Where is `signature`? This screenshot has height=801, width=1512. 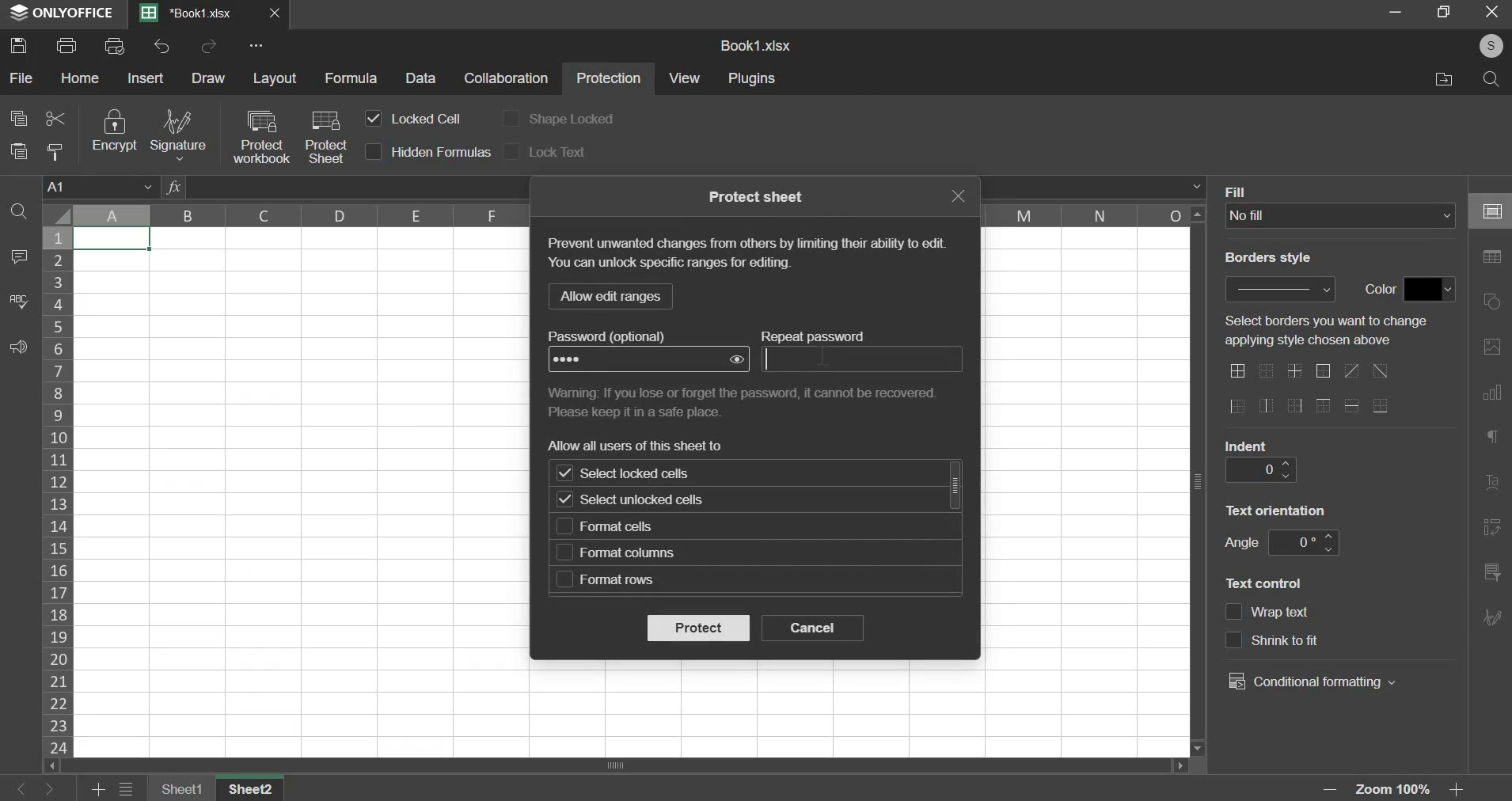 signature is located at coordinates (177, 135).